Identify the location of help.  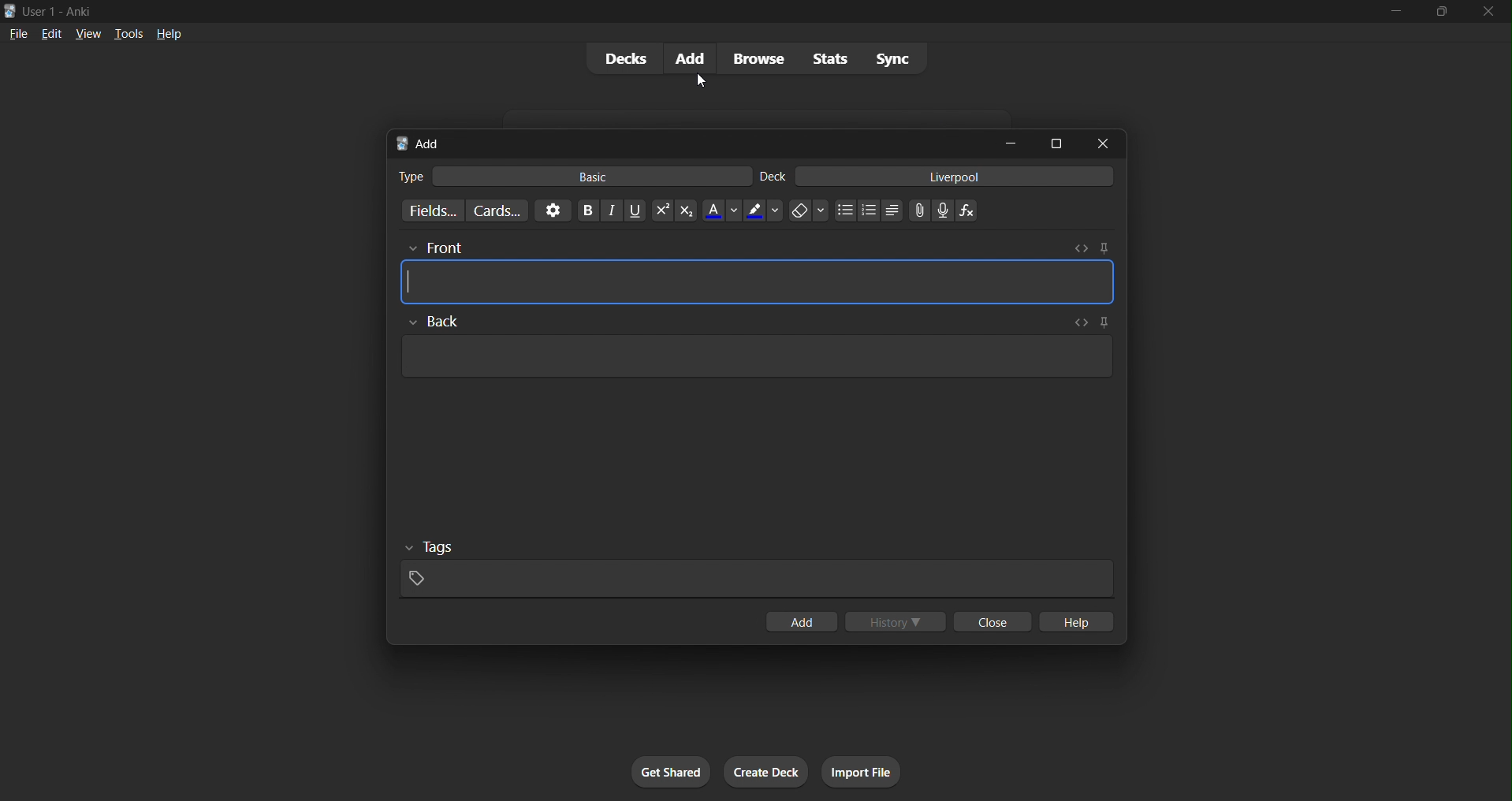
(167, 33).